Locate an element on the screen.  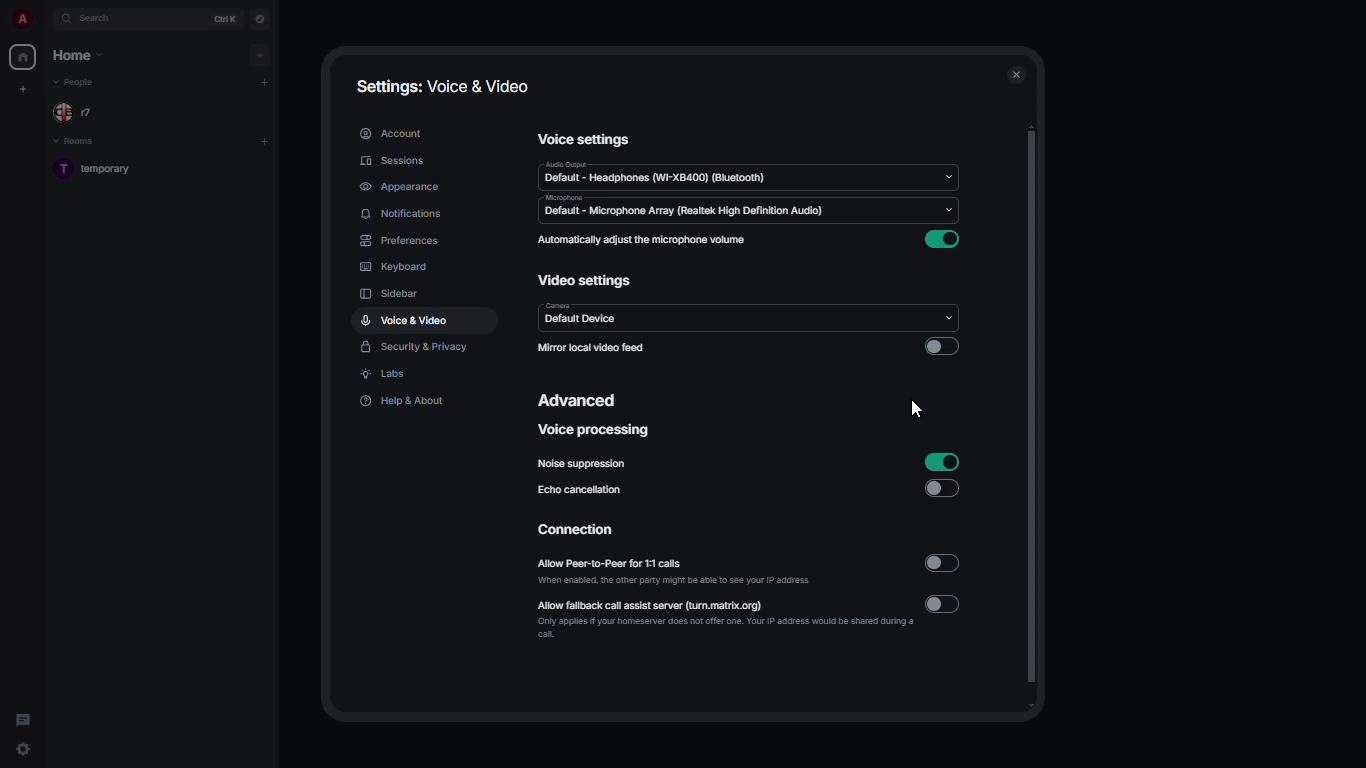
video settings is located at coordinates (586, 282).